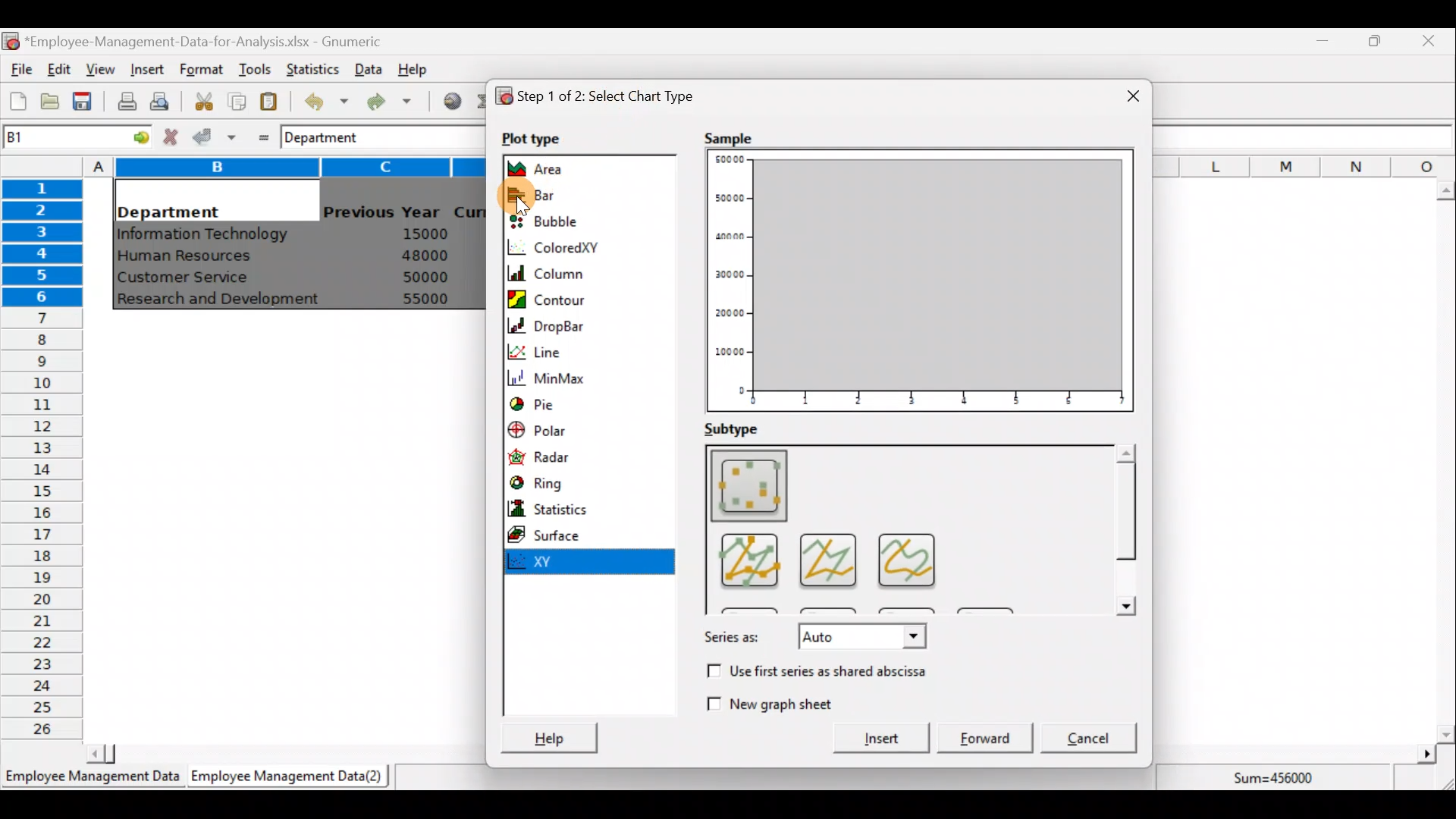 Image resolution: width=1456 pixels, height=819 pixels. Describe the element at coordinates (559, 300) in the screenshot. I see `Contour` at that location.